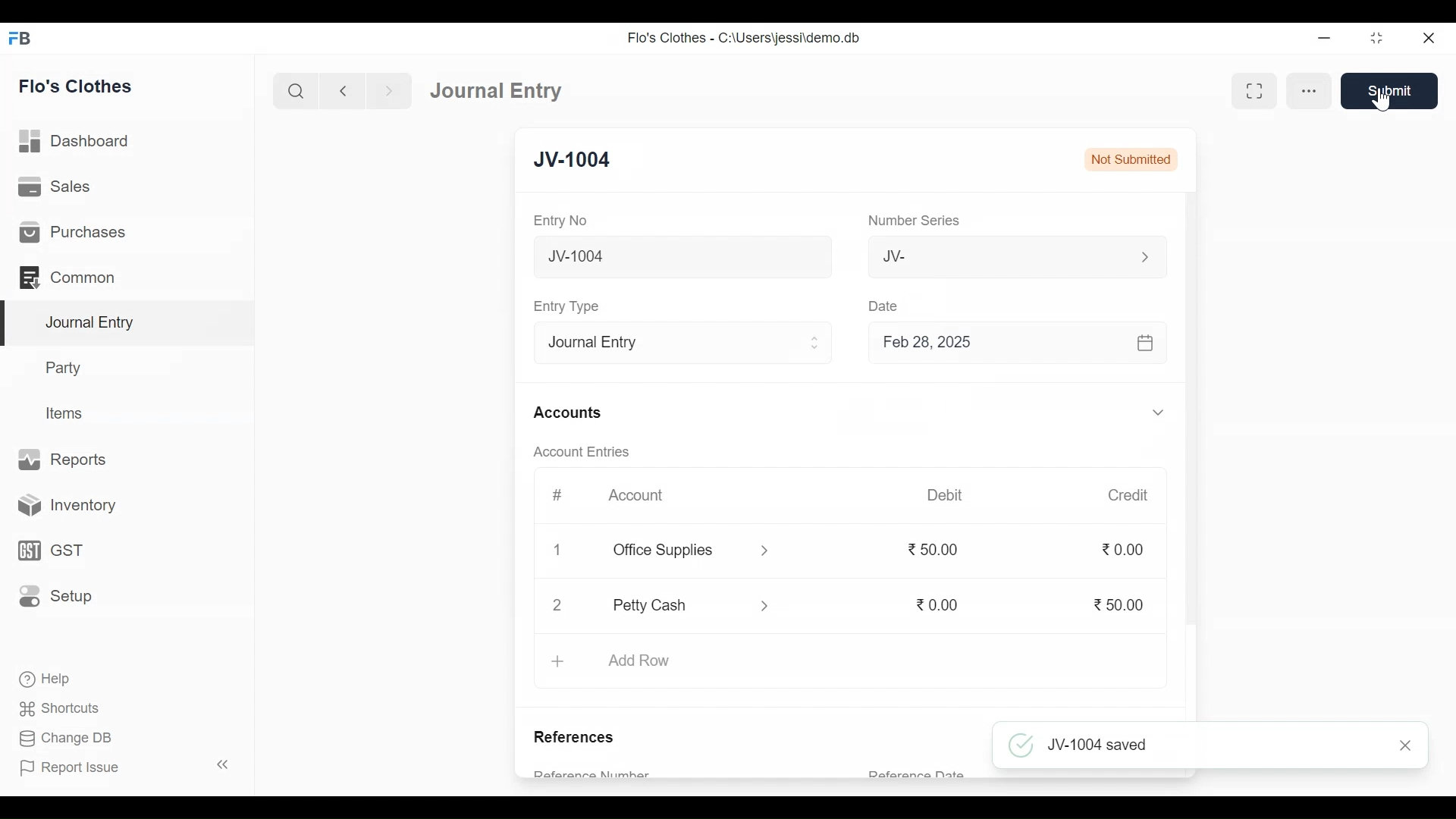 The width and height of the screenshot is (1456, 819). I want to click on Credit, so click(1129, 496).